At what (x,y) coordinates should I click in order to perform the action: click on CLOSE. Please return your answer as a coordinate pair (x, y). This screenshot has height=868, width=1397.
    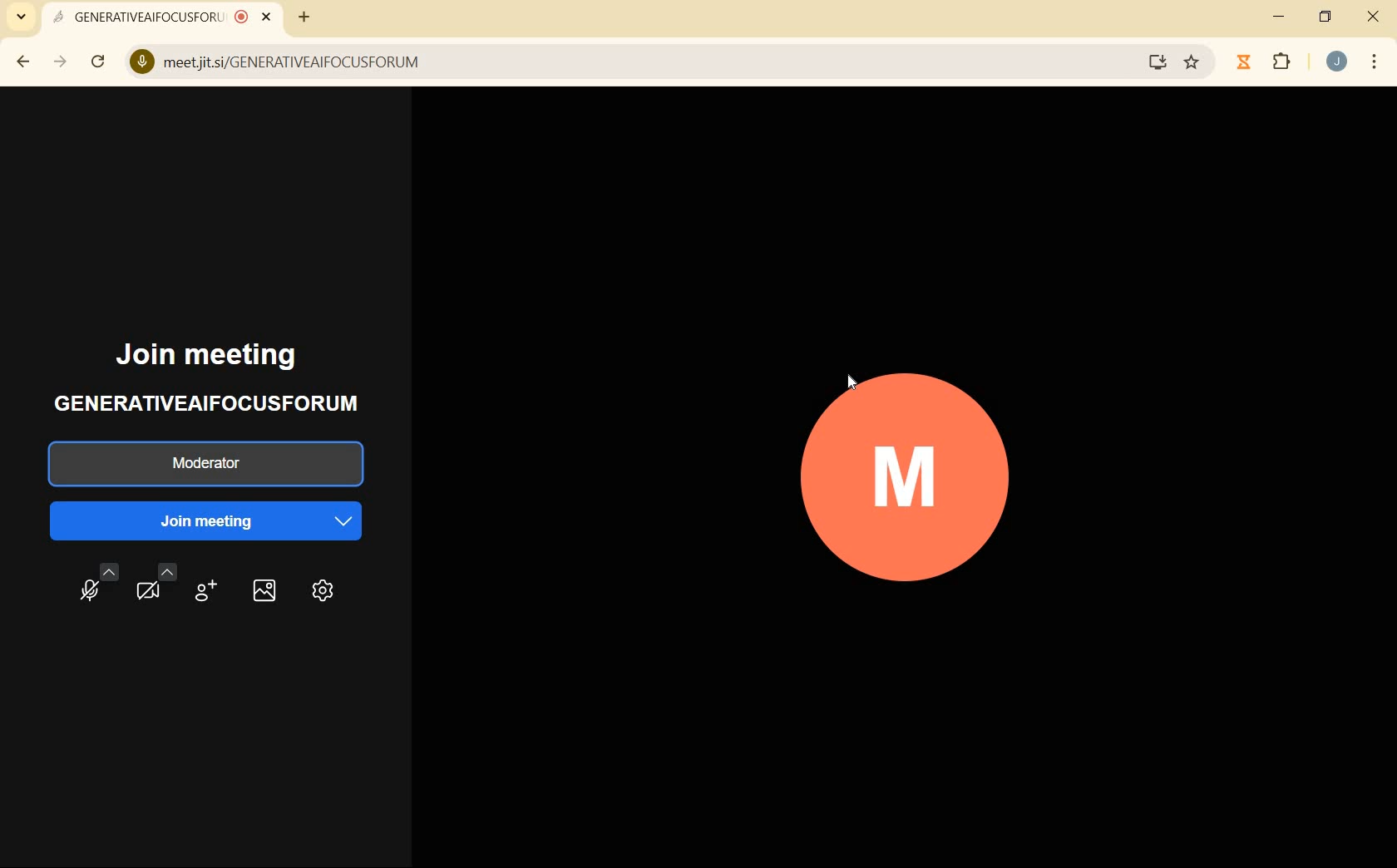
    Looking at the image, I should click on (1373, 18).